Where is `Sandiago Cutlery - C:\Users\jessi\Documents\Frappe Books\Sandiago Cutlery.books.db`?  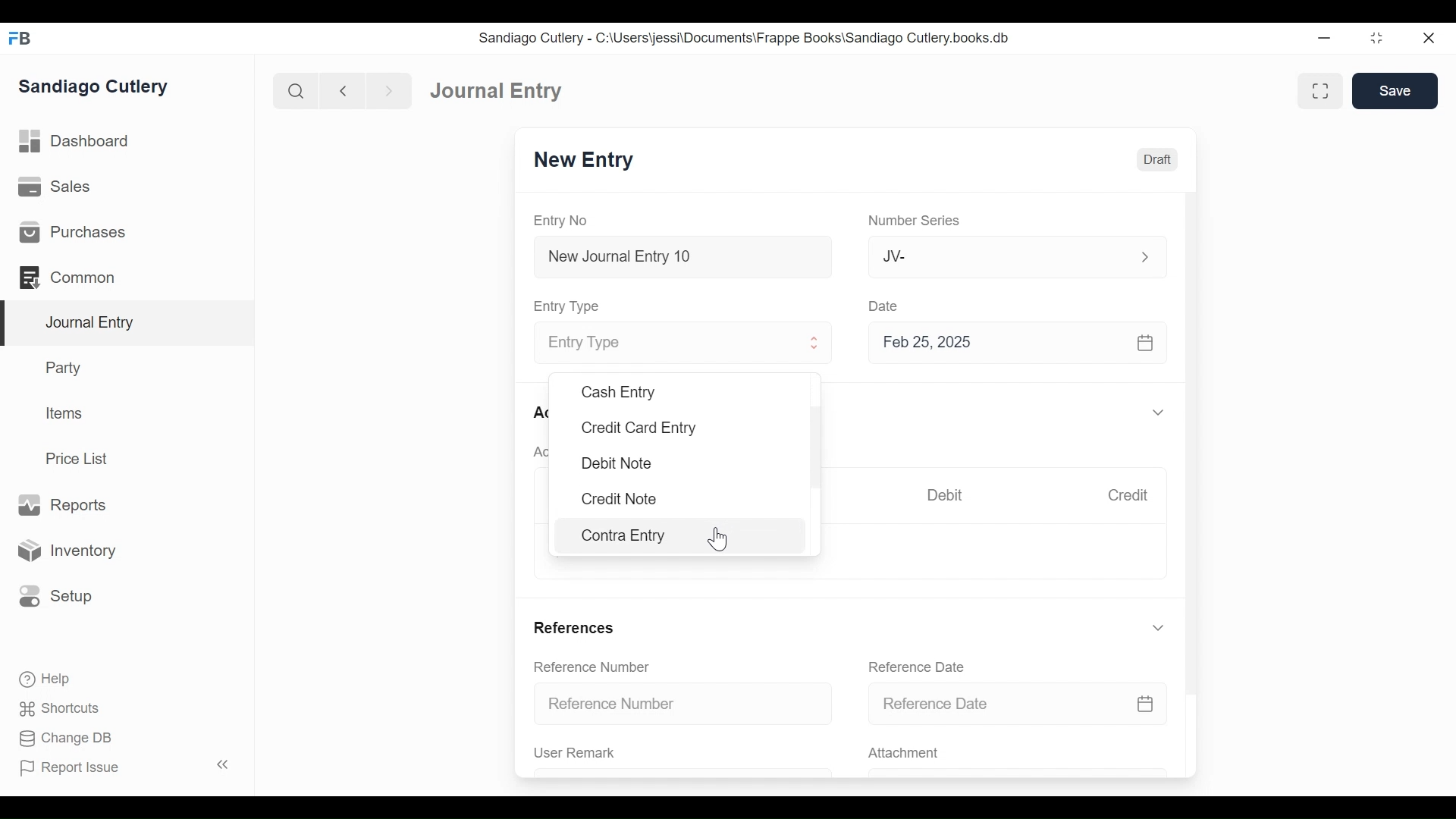
Sandiago Cutlery - C:\Users\jessi\Documents\Frappe Books\Sandiago Cutlery.books.db is located at coordinates (747, 39).